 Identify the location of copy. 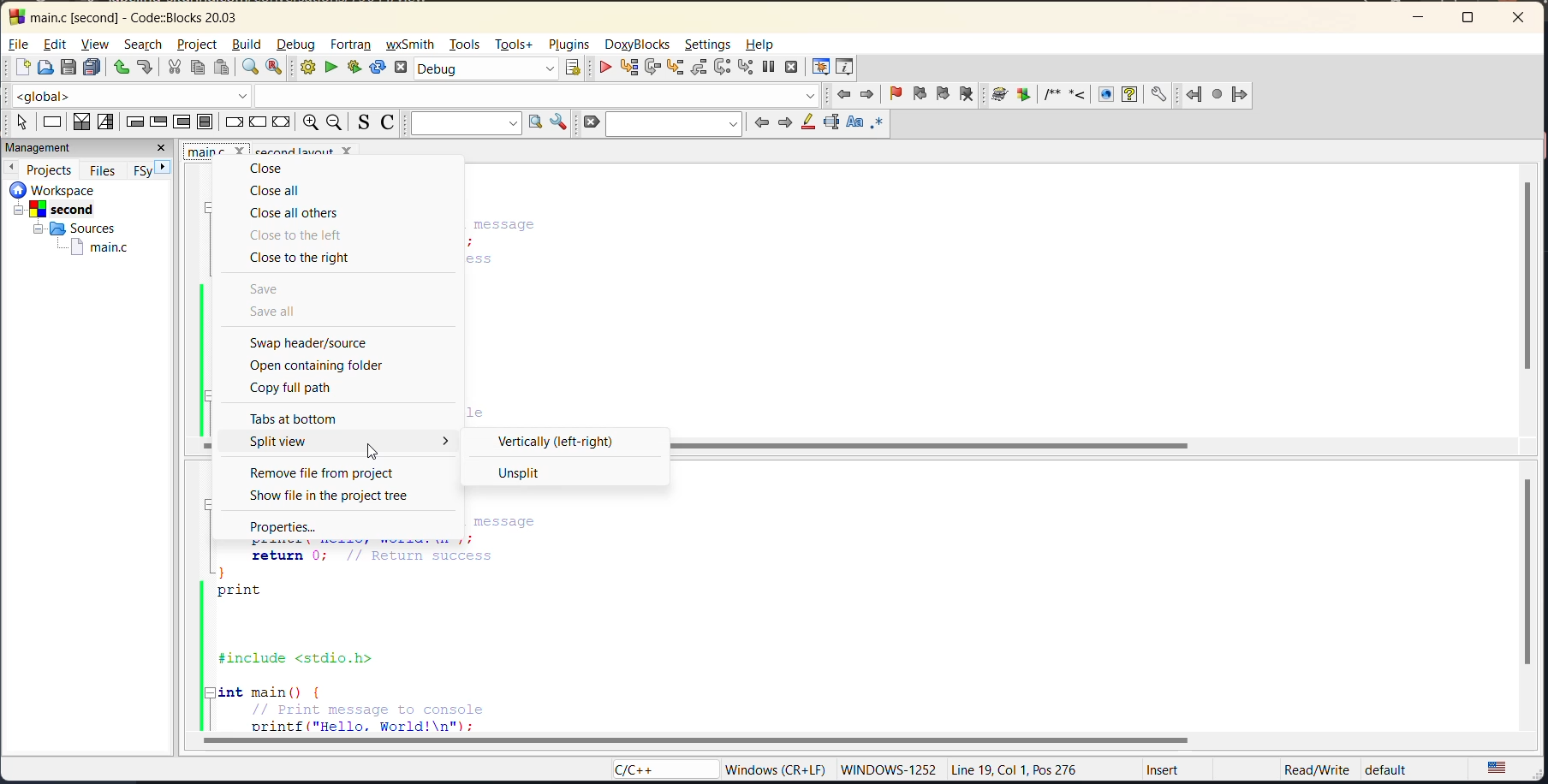
(197, 68).